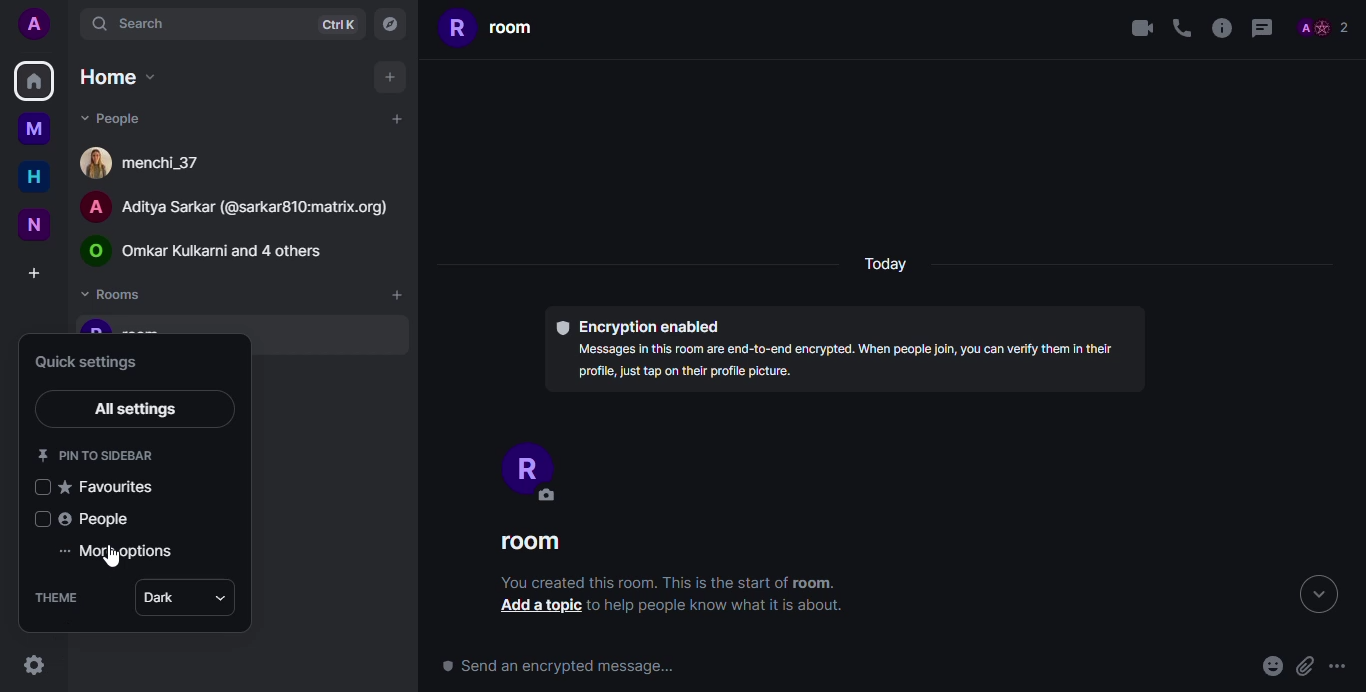  Describe the element at coordinates (98, 453) in the screenshot. I see `pin to sidebar` at that location.